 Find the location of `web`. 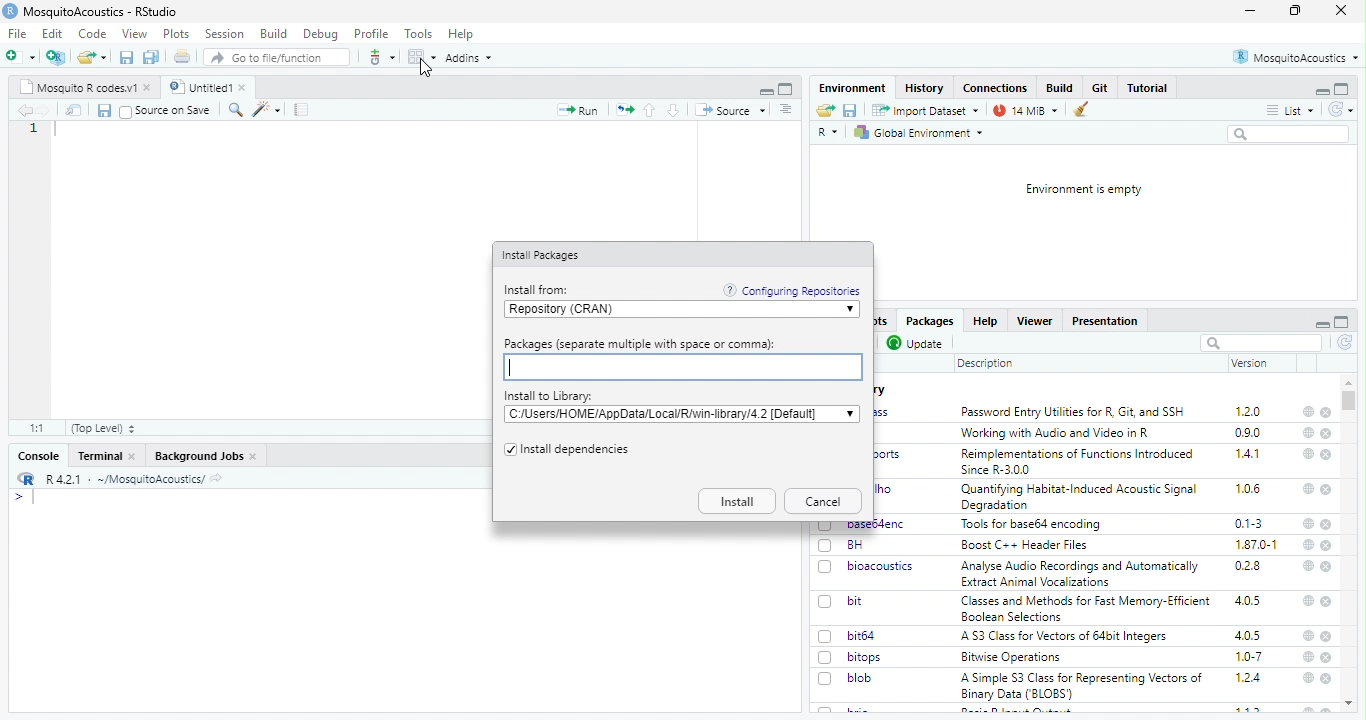

web is located at coordinates (1308, 453).